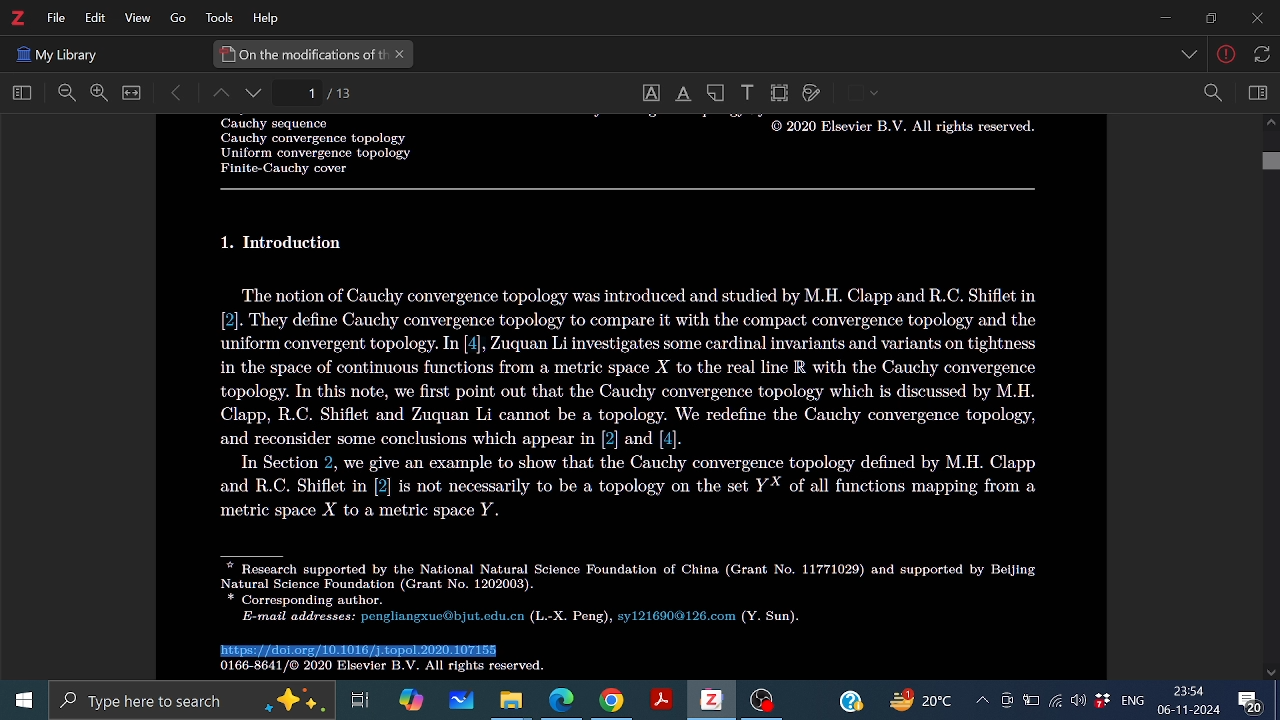 The width and height of the screenshot is (1280, 720). Describe the element at coordinates (710, 700) in the screenshot. I see `Zotero` at that location.